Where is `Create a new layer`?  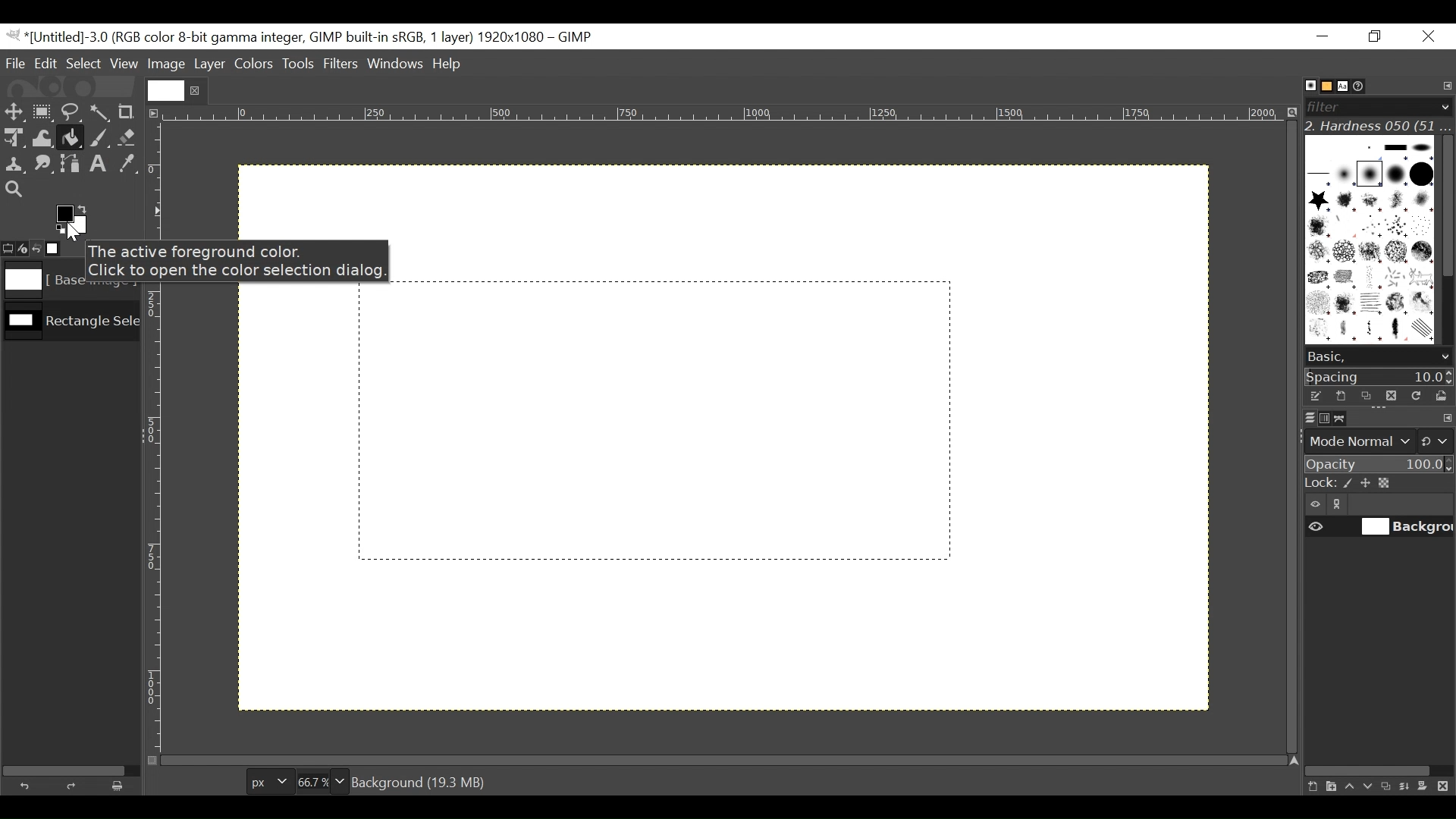
Create a new layer is located at coordinates (1330, 786).